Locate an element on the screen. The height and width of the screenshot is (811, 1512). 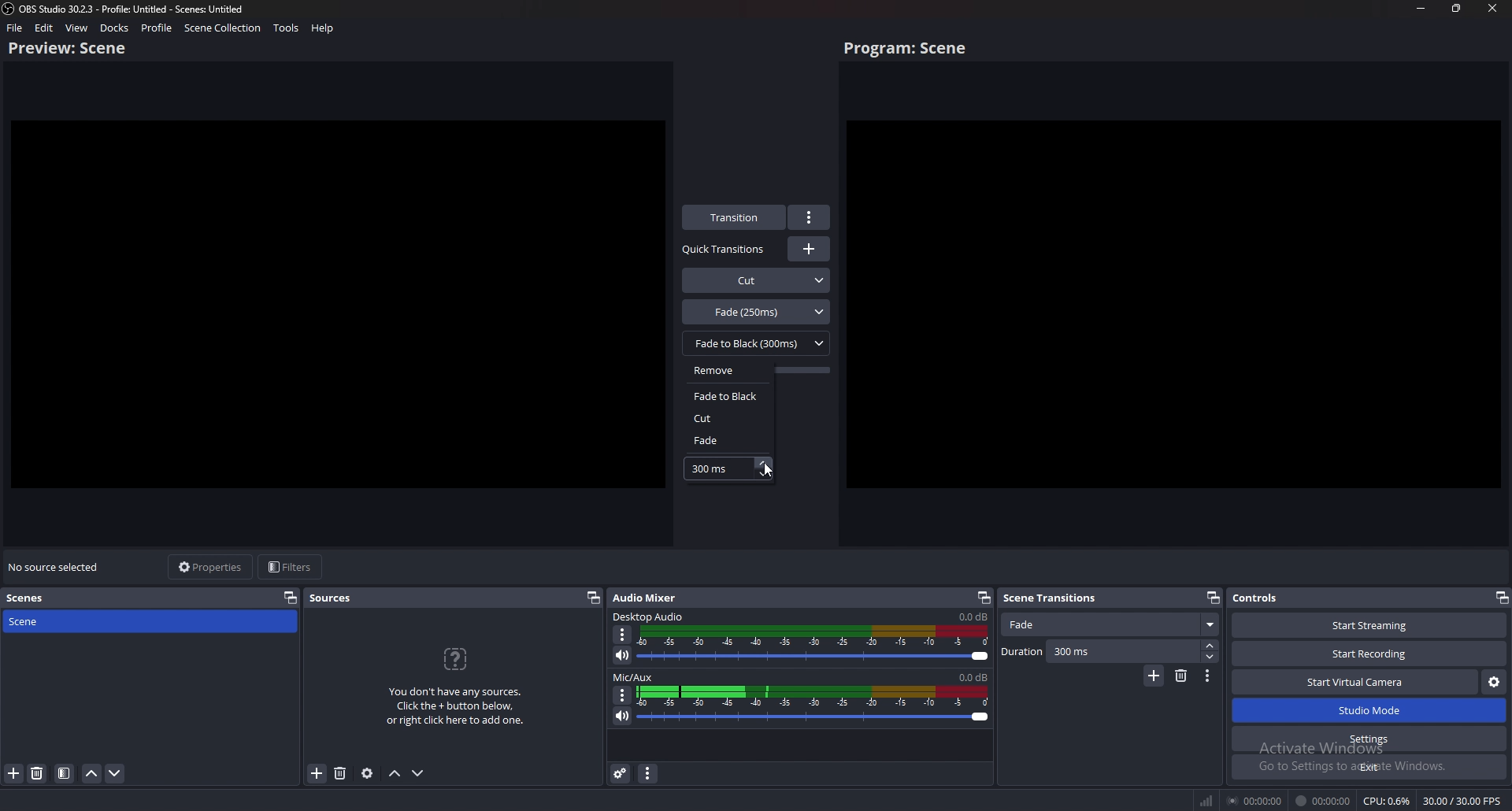
scene collection is located at coordinates (222, 28).